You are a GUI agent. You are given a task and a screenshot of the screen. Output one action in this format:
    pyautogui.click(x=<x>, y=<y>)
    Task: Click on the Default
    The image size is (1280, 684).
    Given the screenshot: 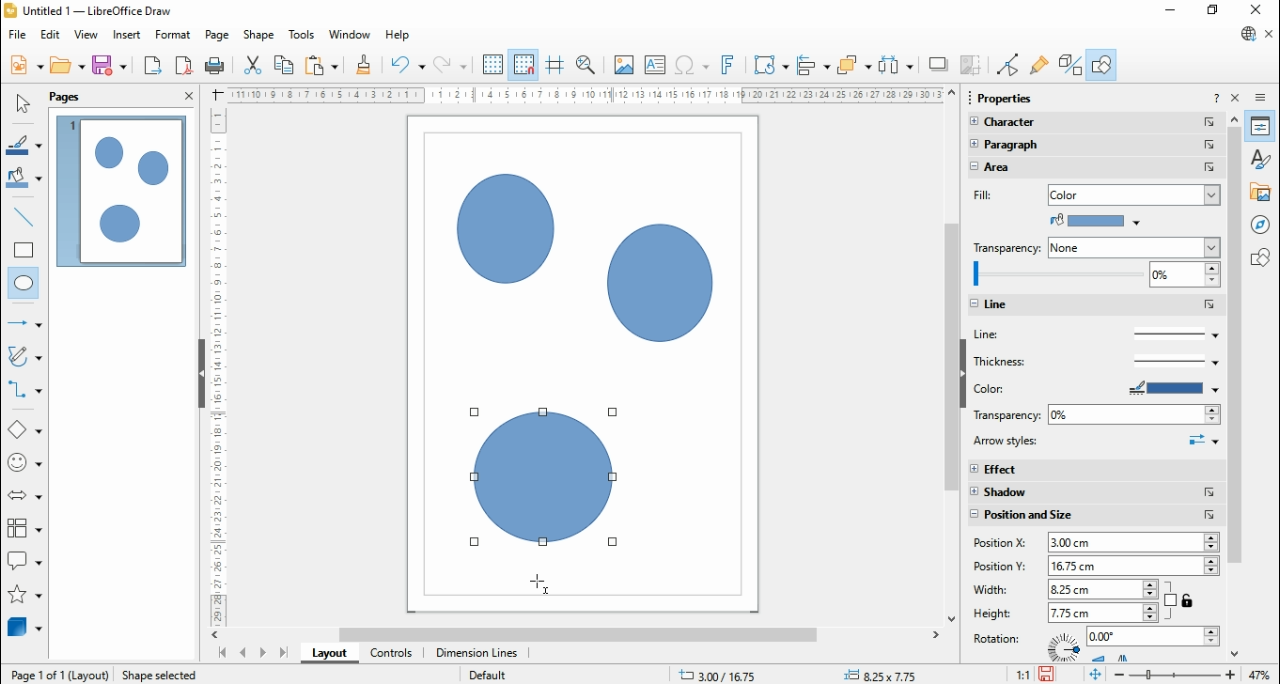 What is the action you would take?
    pyautogui.click(x=487, y=673)
    